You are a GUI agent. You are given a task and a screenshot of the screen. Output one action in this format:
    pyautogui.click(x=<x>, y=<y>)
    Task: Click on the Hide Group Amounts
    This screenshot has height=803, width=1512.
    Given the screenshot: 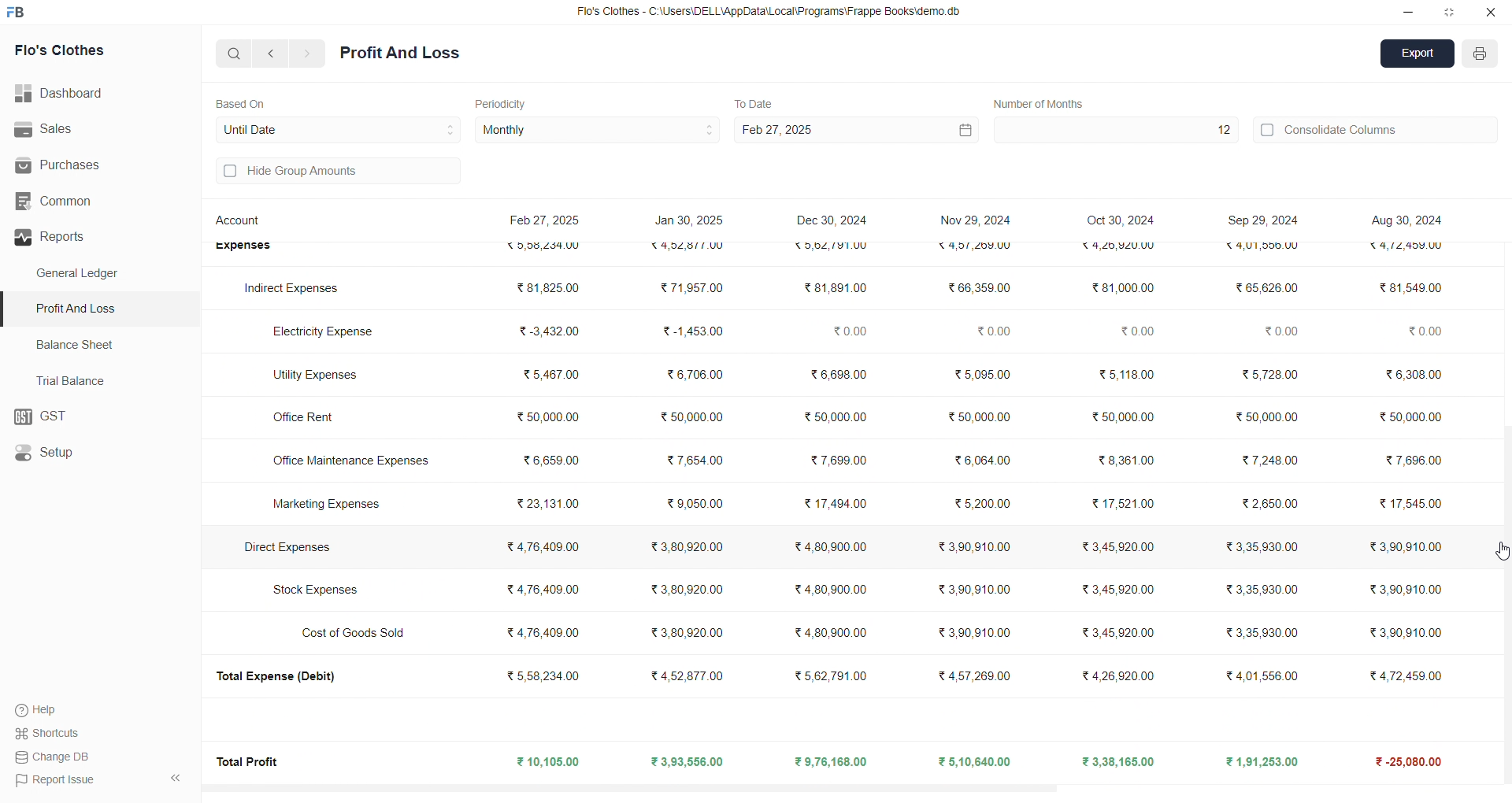 What is the action you would take?
    pyautogui.click(x=335, y=172)
    